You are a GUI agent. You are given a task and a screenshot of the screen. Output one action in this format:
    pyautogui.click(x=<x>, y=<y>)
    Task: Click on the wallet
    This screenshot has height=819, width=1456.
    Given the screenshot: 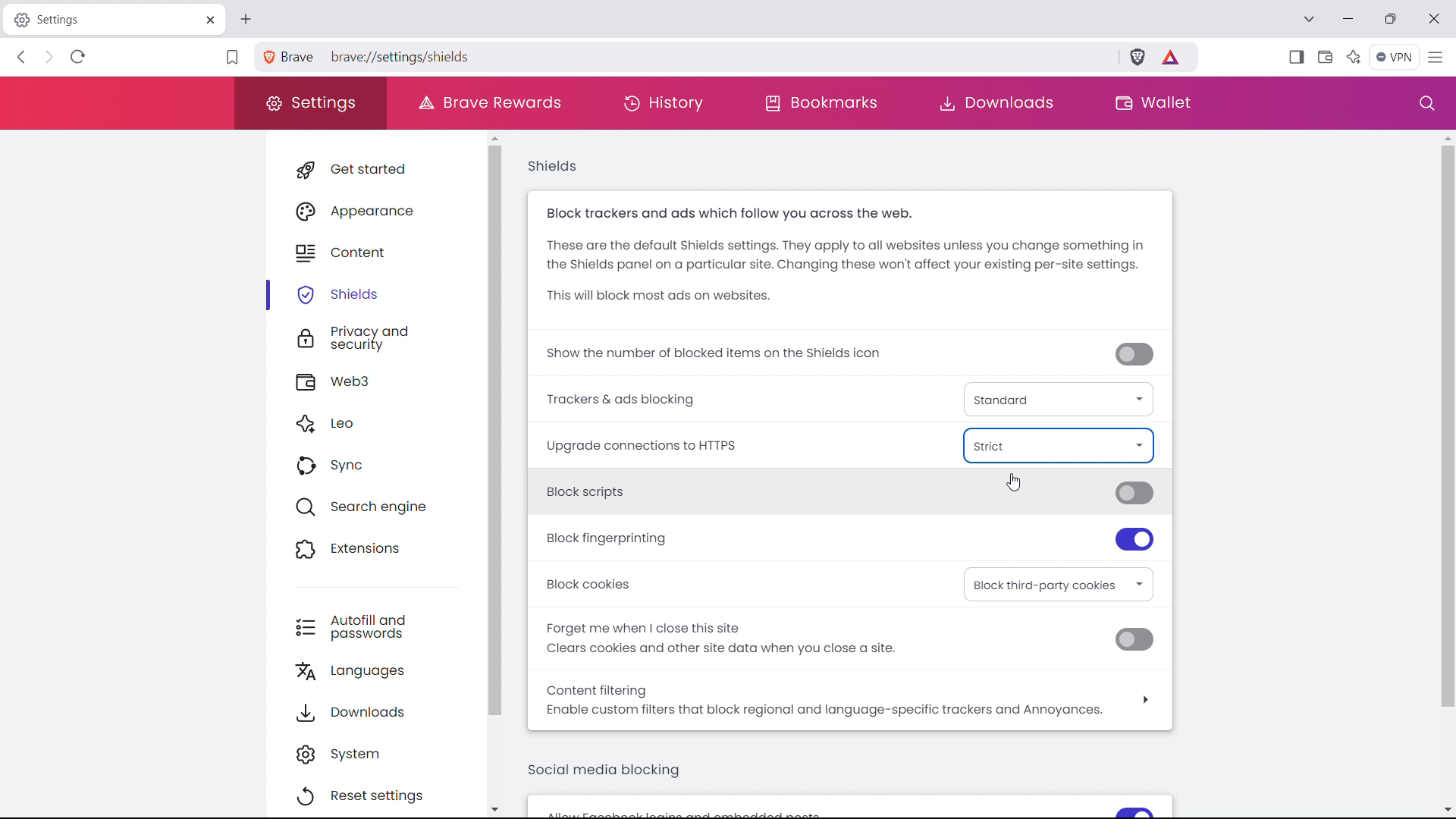 What is the action you would take?
    pyautogui.click(x=1324, y=57)
    